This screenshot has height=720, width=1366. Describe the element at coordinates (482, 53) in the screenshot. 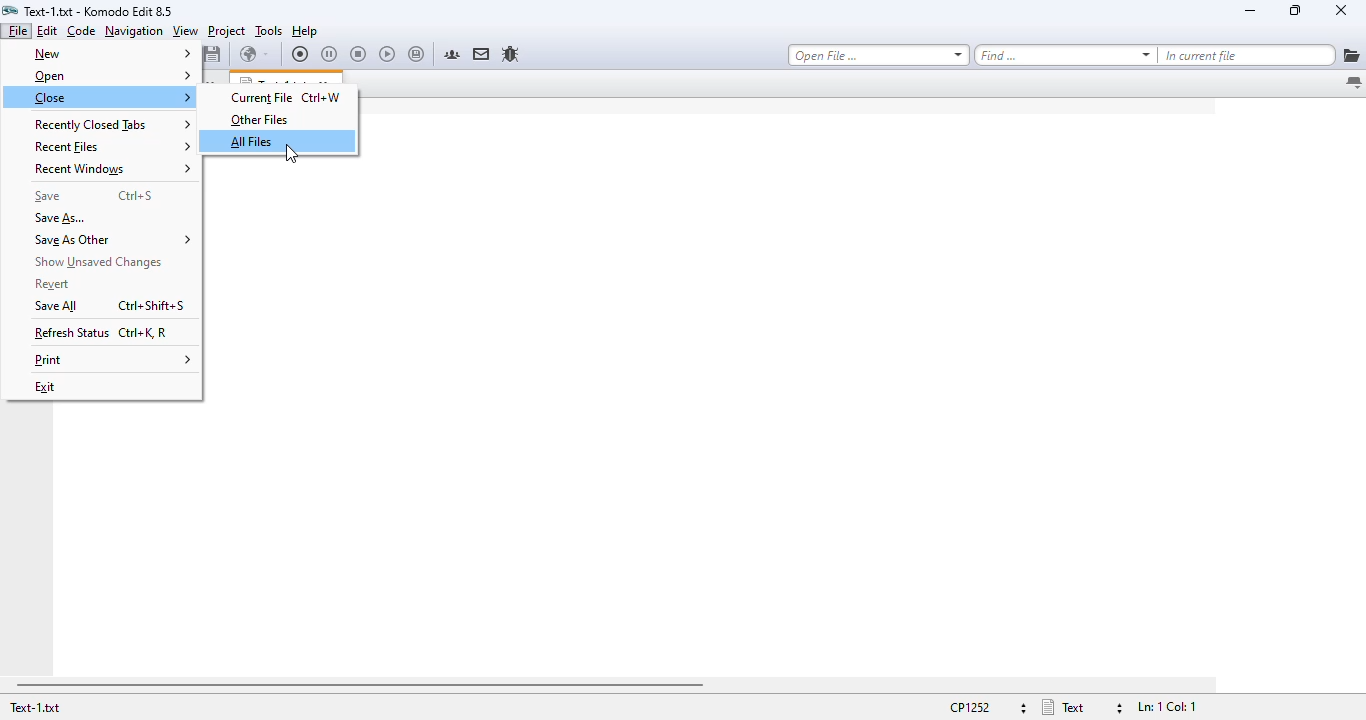

I see `komodo email lists` at that location.